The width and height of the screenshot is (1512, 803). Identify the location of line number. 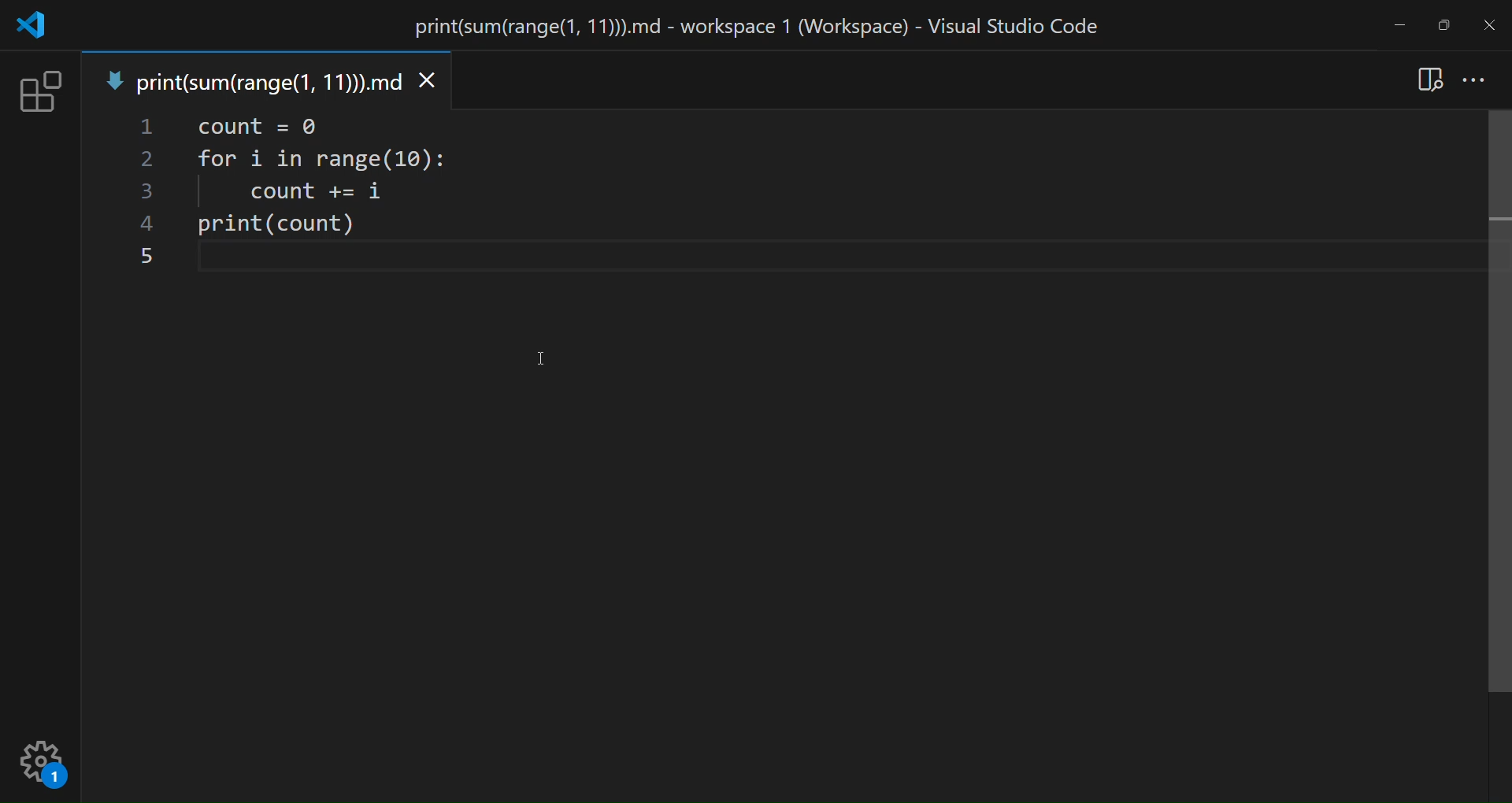
(142, 196).